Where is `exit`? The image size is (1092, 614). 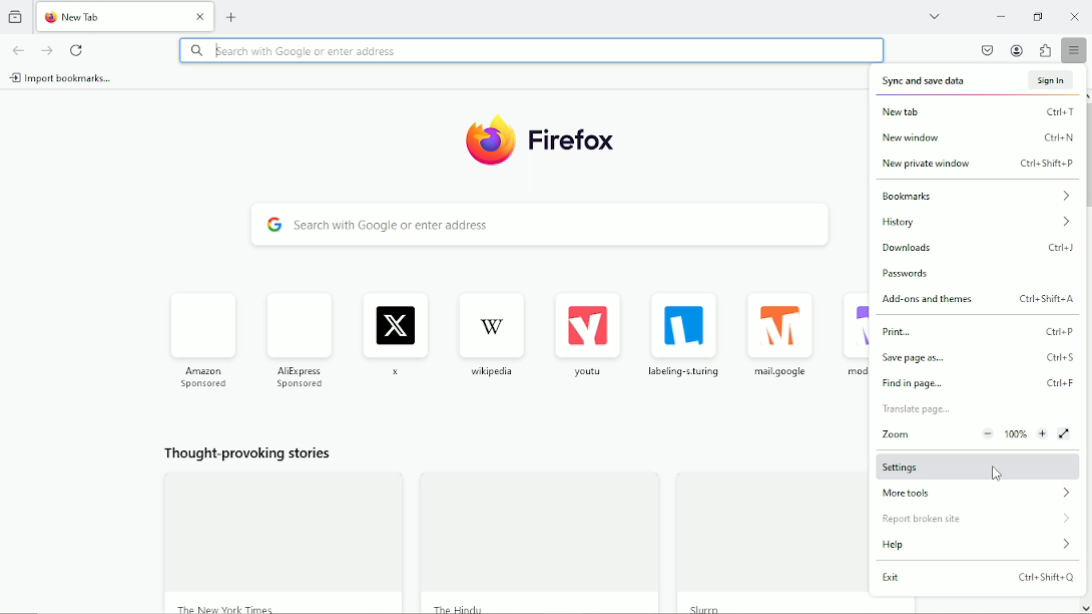 exit is located at coordinates (980, 582).